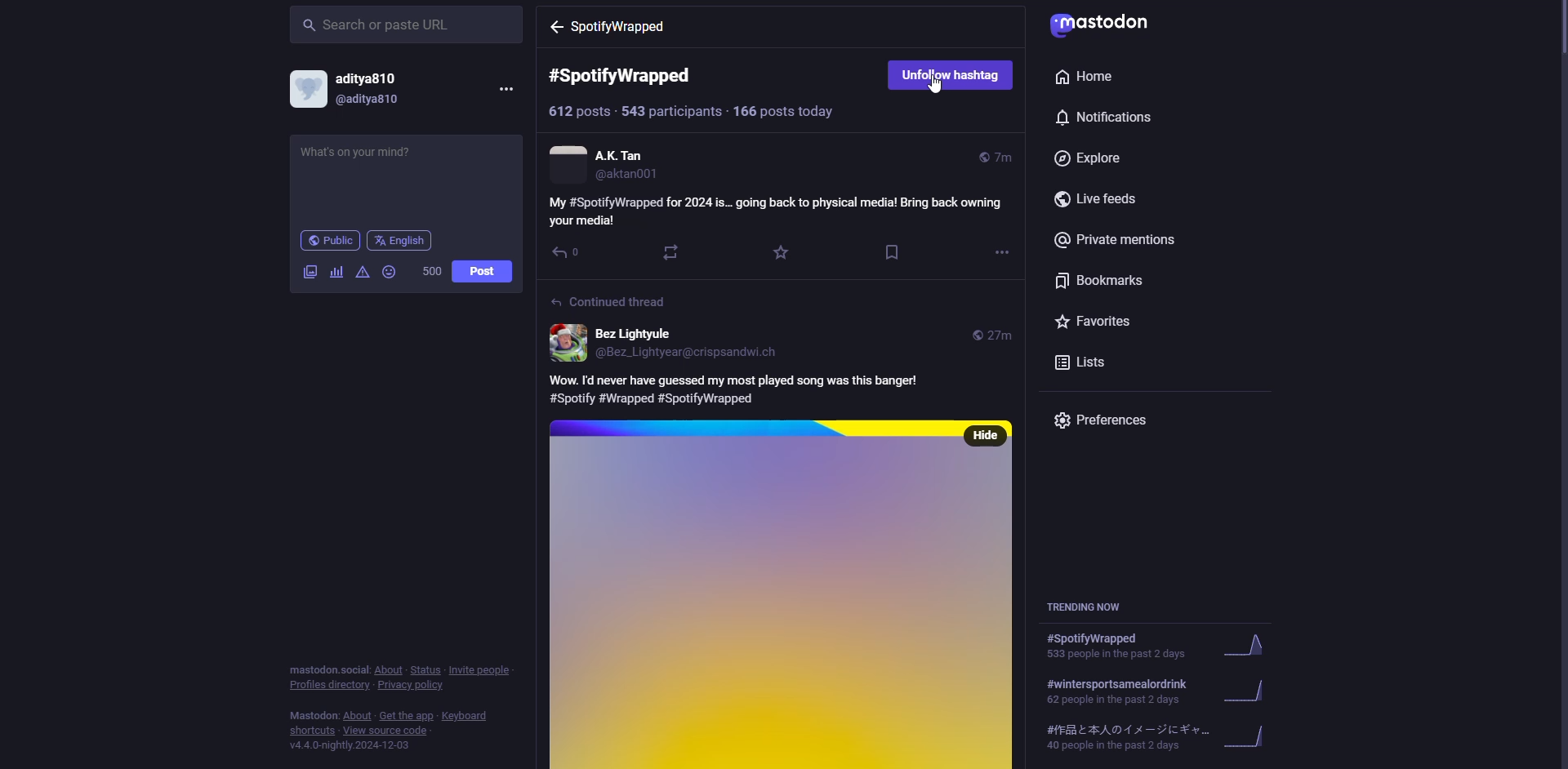 This screenshot has height=769, width=1568. I want to click on post, so click(481, 270).